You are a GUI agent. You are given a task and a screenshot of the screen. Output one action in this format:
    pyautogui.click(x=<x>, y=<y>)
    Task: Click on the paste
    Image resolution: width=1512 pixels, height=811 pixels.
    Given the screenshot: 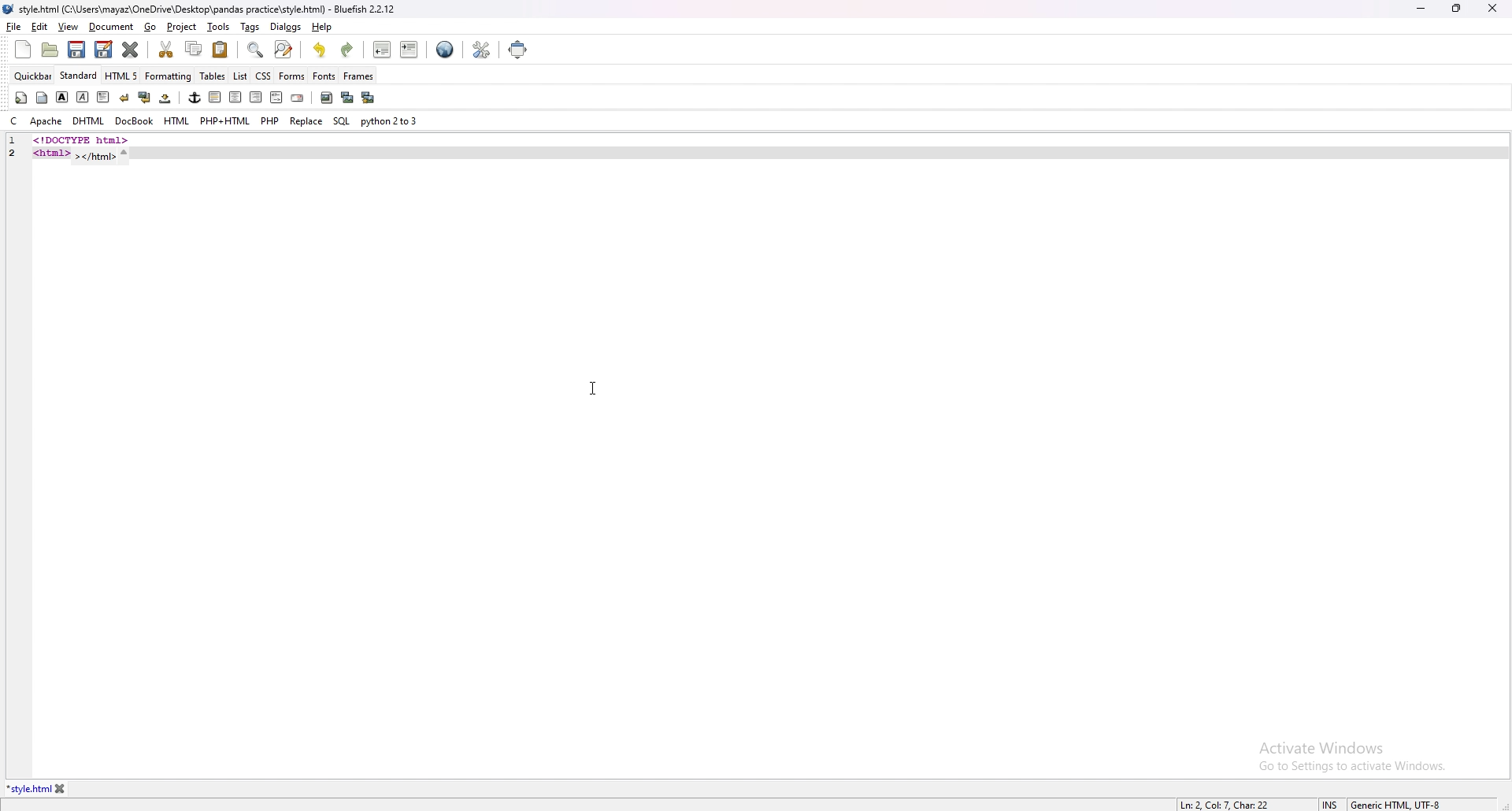 What is the action you would take?
    pyautogui.click(x=220, y=49)
    